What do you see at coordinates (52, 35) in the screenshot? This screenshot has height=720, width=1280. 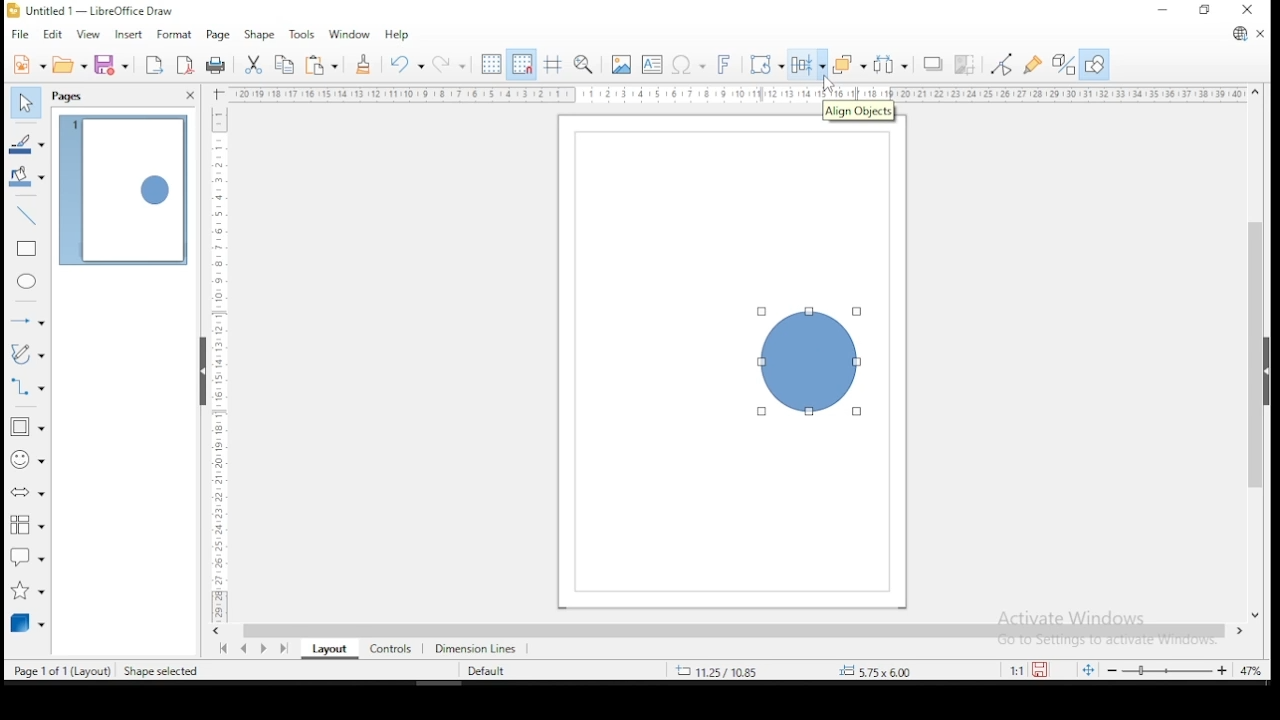 I see `edit` at bounding box center [52, 35].